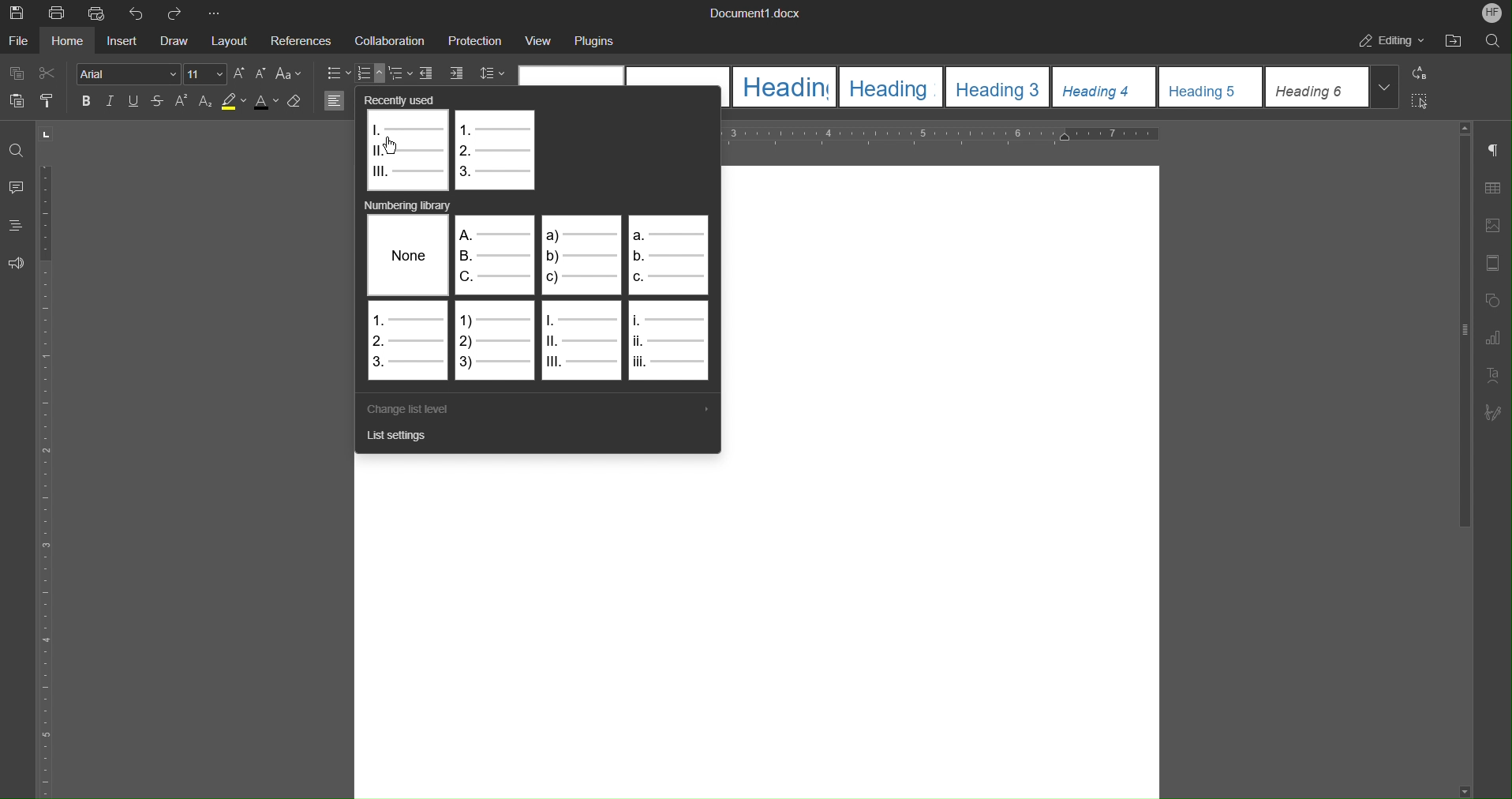 The width and height of the screenshot is (1512, 799). What do you see at coordinates (337, 73) in the screenshot?
I see `Bullet List` at bounding box center [337, 73].